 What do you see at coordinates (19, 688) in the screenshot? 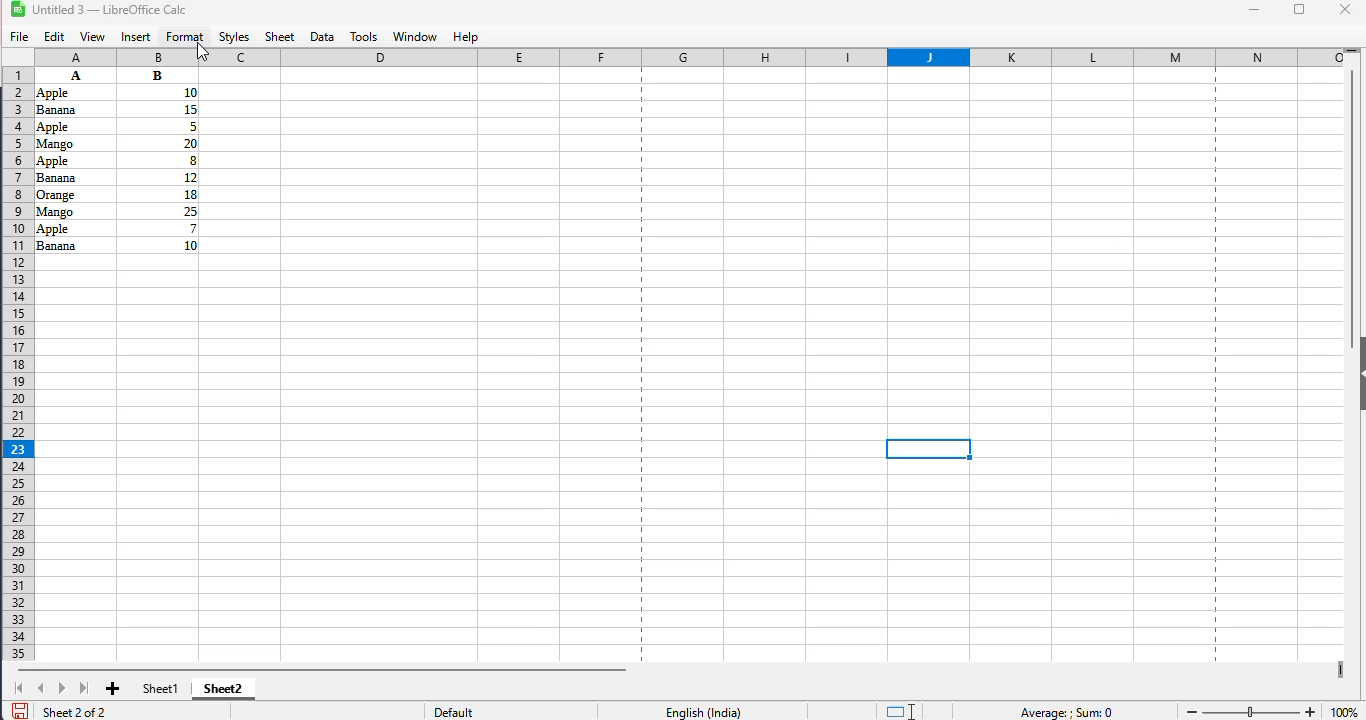
I see `scroll to first sheet` at bounding box center [19, 688].